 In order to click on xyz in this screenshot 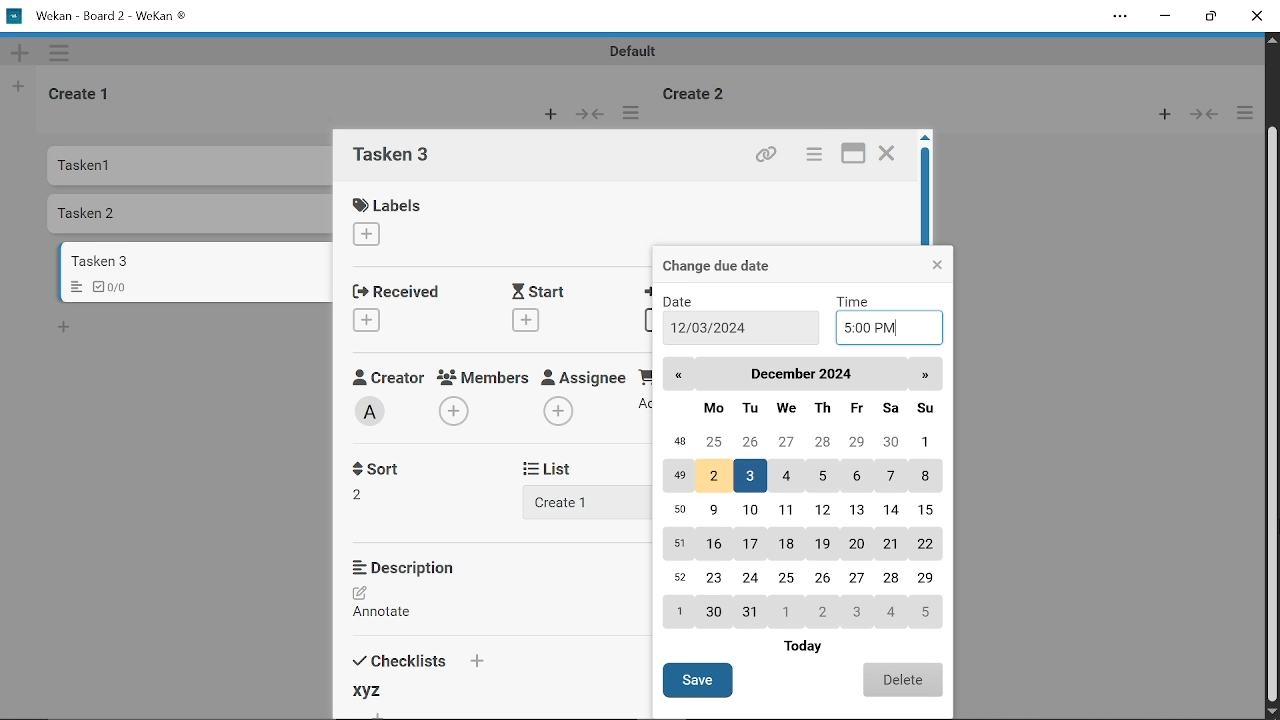, I will do `click(371, 688)`.